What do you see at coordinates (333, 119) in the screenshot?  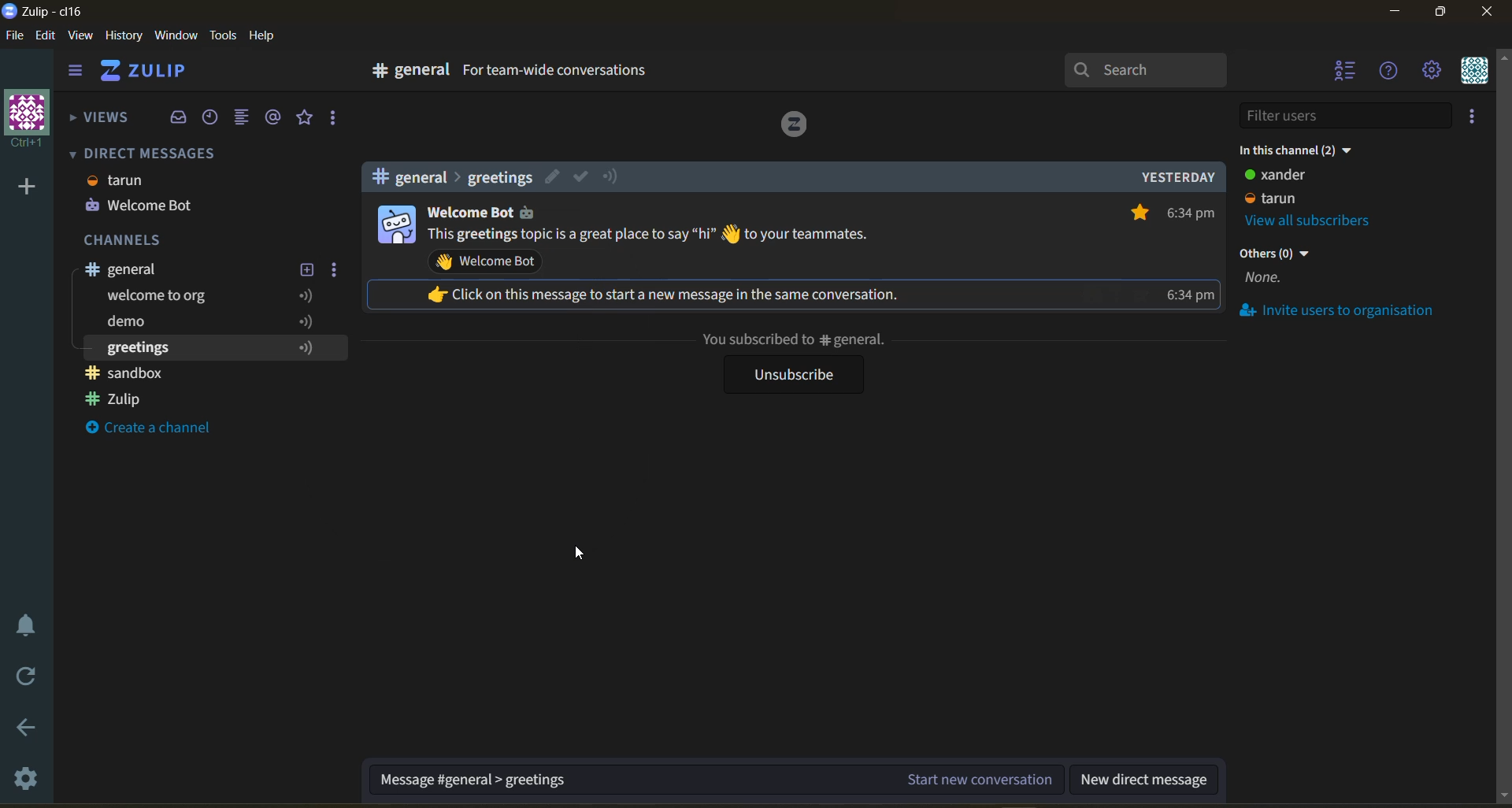 I see `reactions and drafts` at bounding box center [333, 119].